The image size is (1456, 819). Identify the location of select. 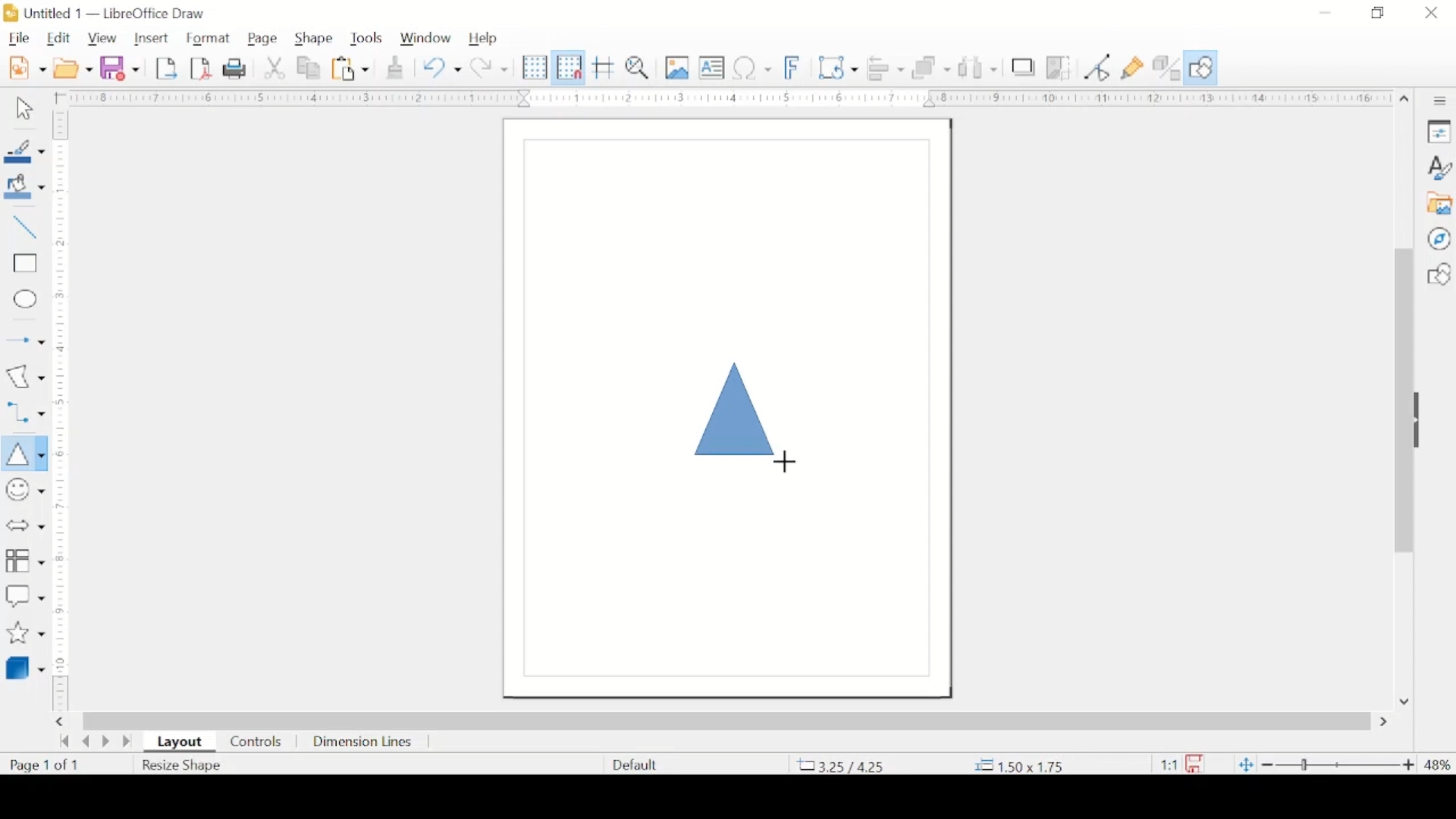
(24, 111).